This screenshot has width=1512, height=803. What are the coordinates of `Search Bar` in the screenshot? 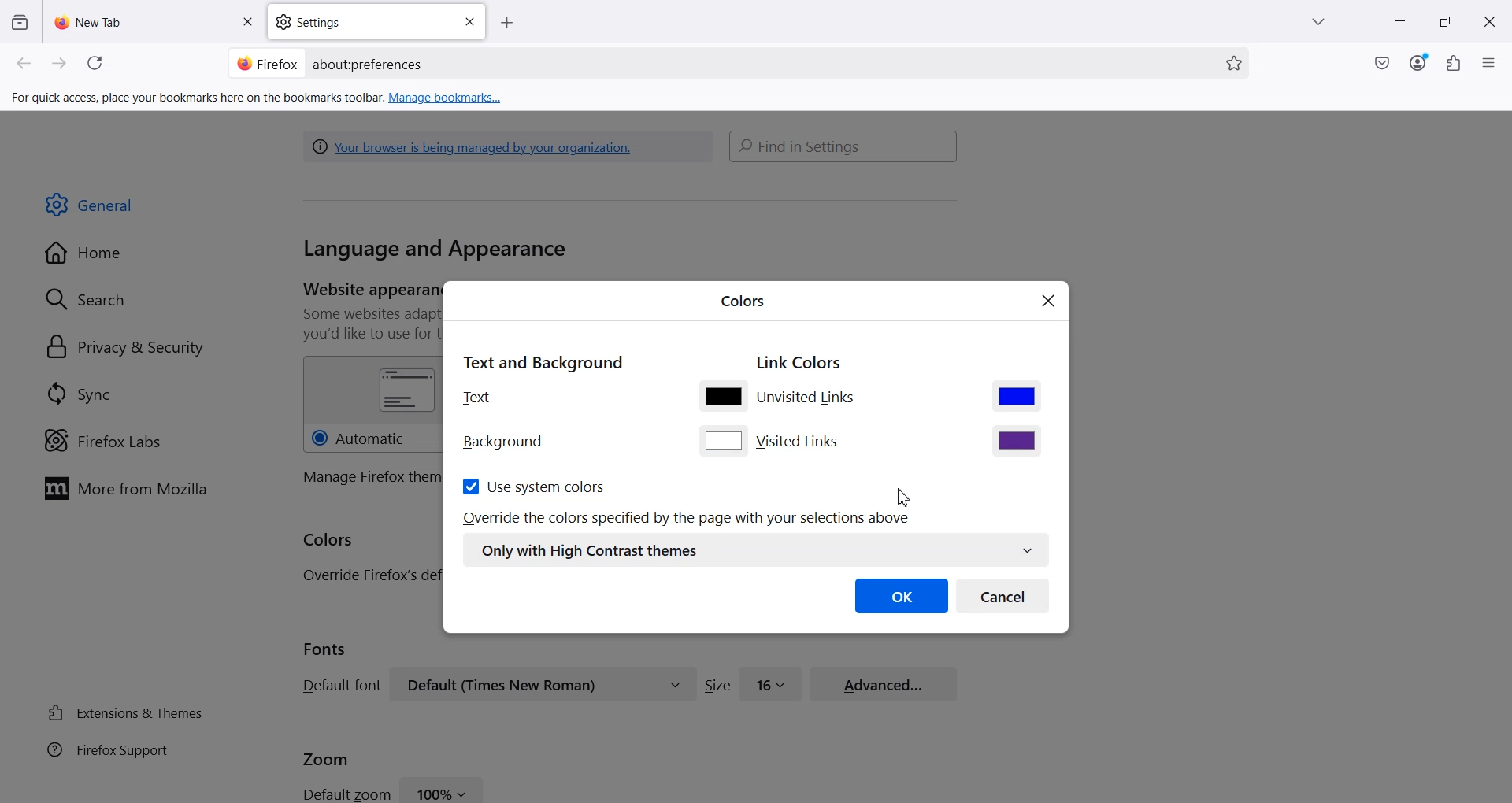 It's located at (844, 146).